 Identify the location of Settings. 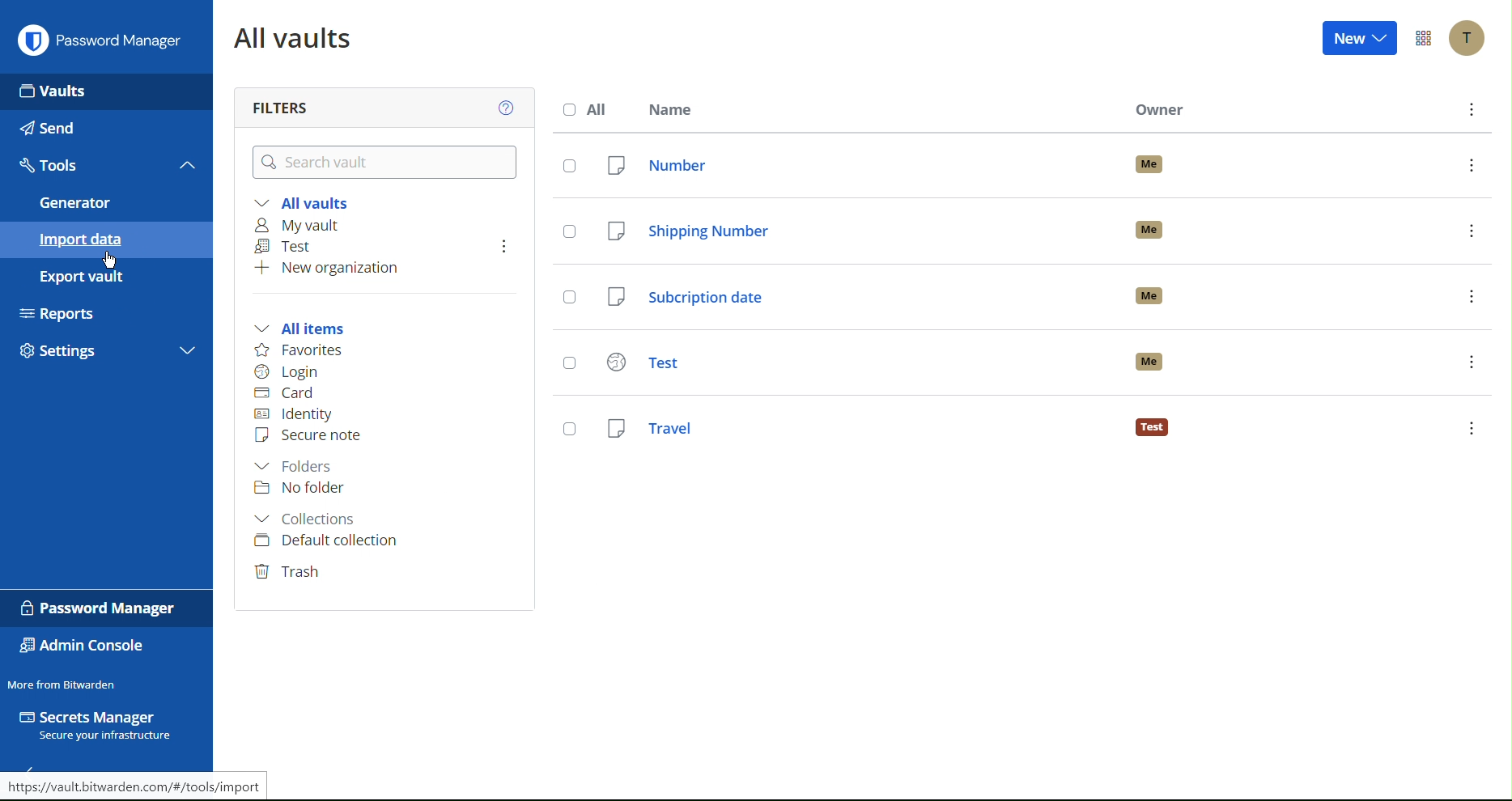
(87, 354).